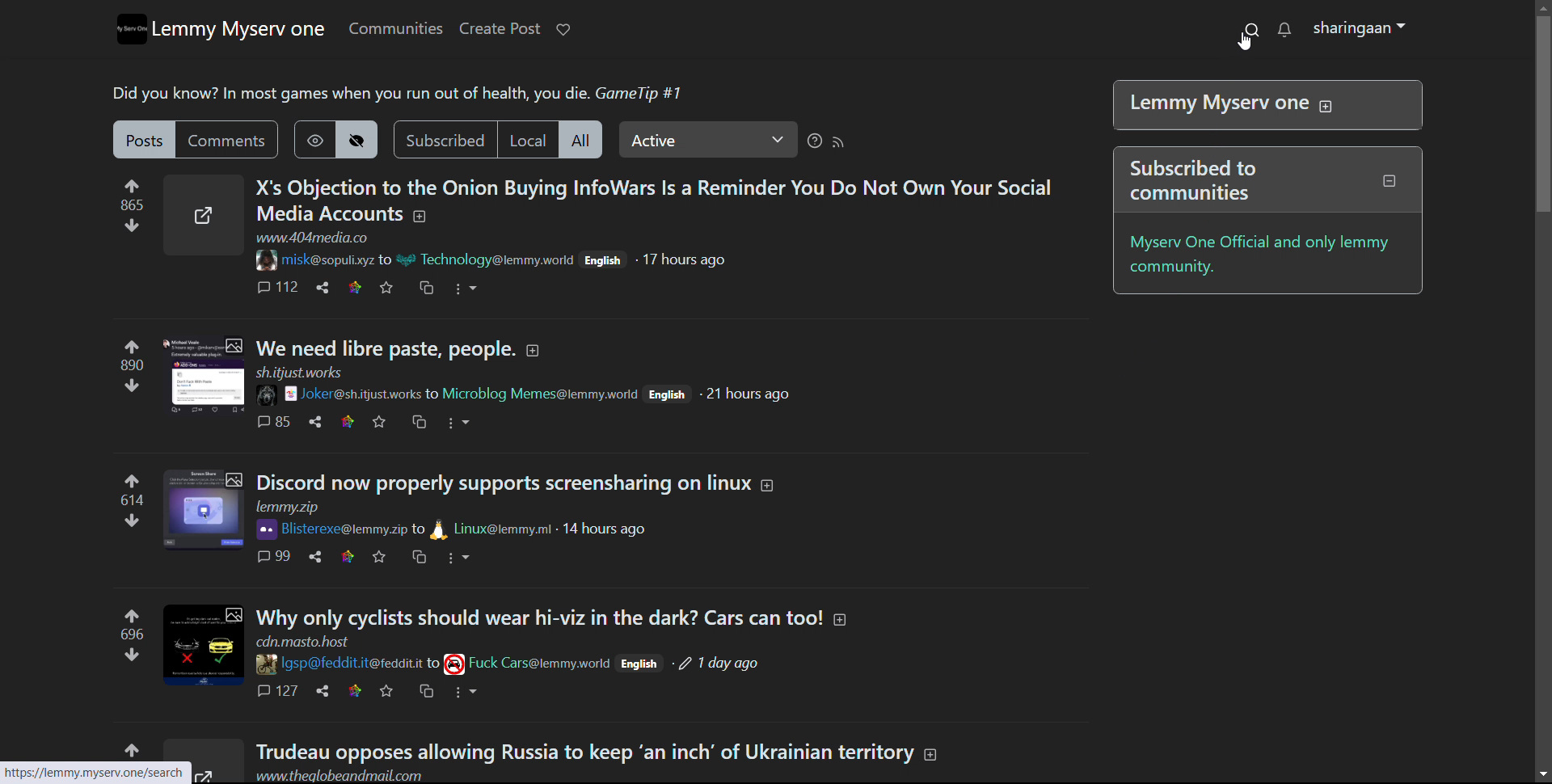 The width and height of the screenshot is (1552, 784). I want to click on link, so click(355, 288).